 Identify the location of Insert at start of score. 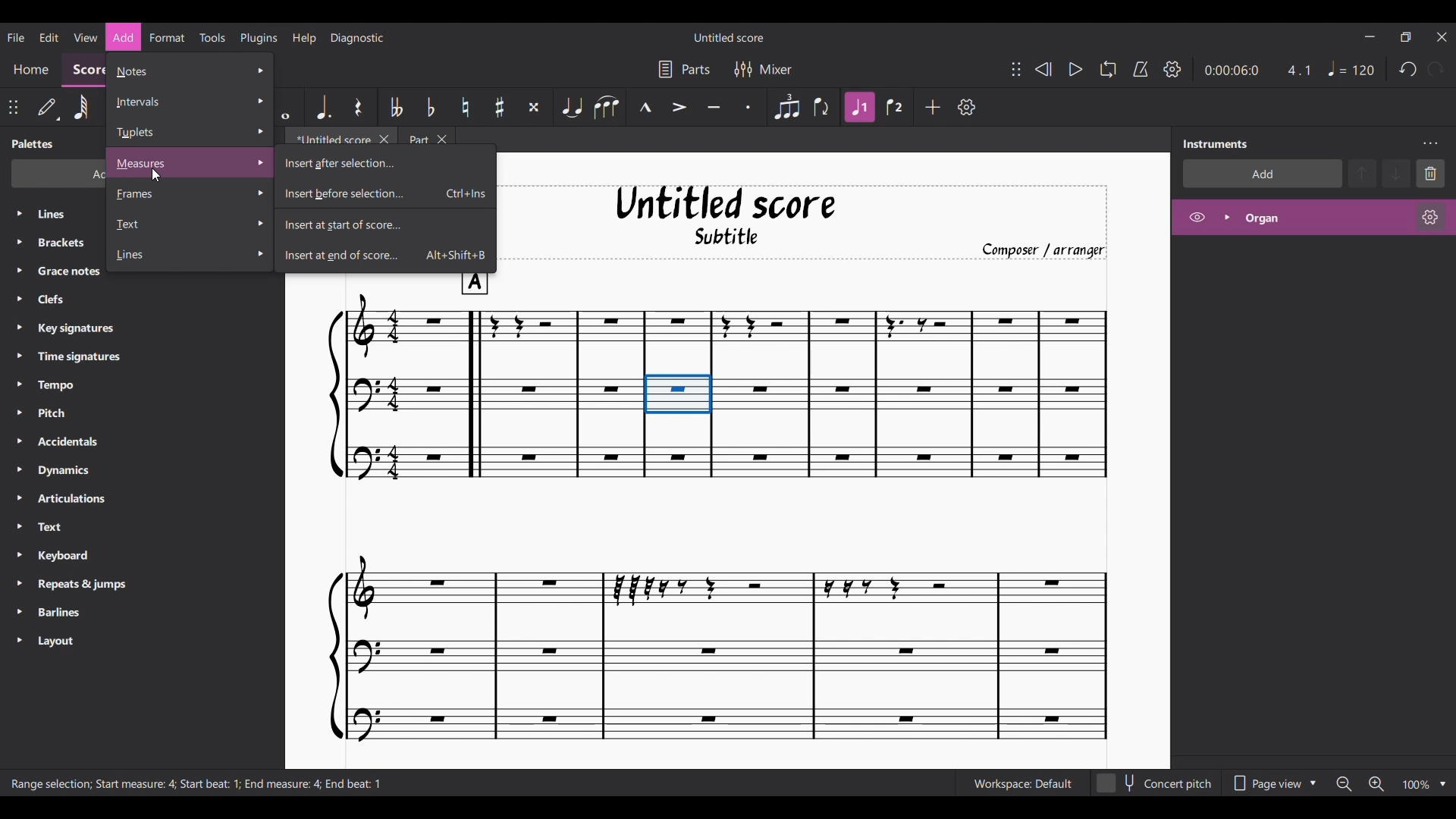
(385, 224).